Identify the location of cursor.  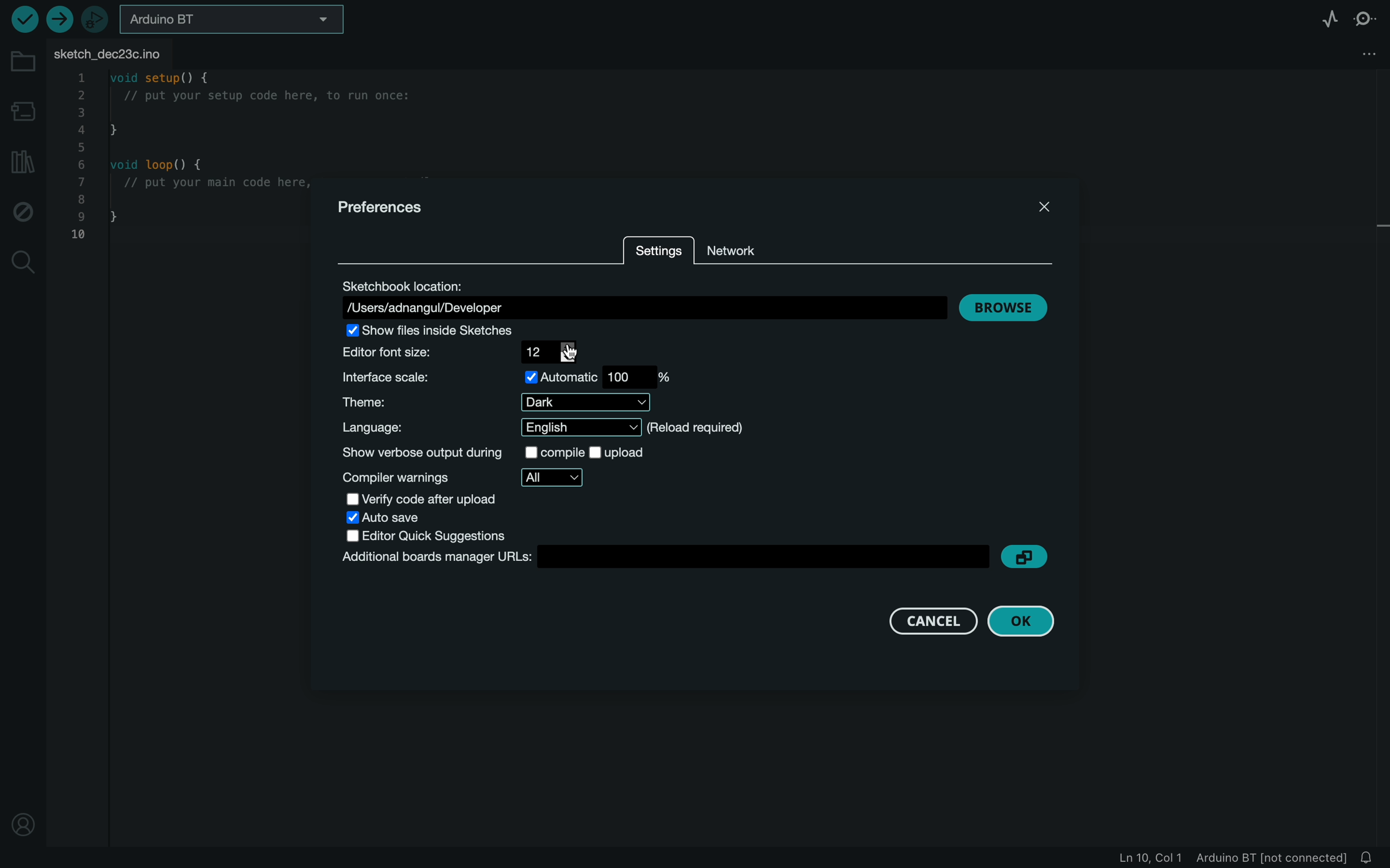
(574, 355).